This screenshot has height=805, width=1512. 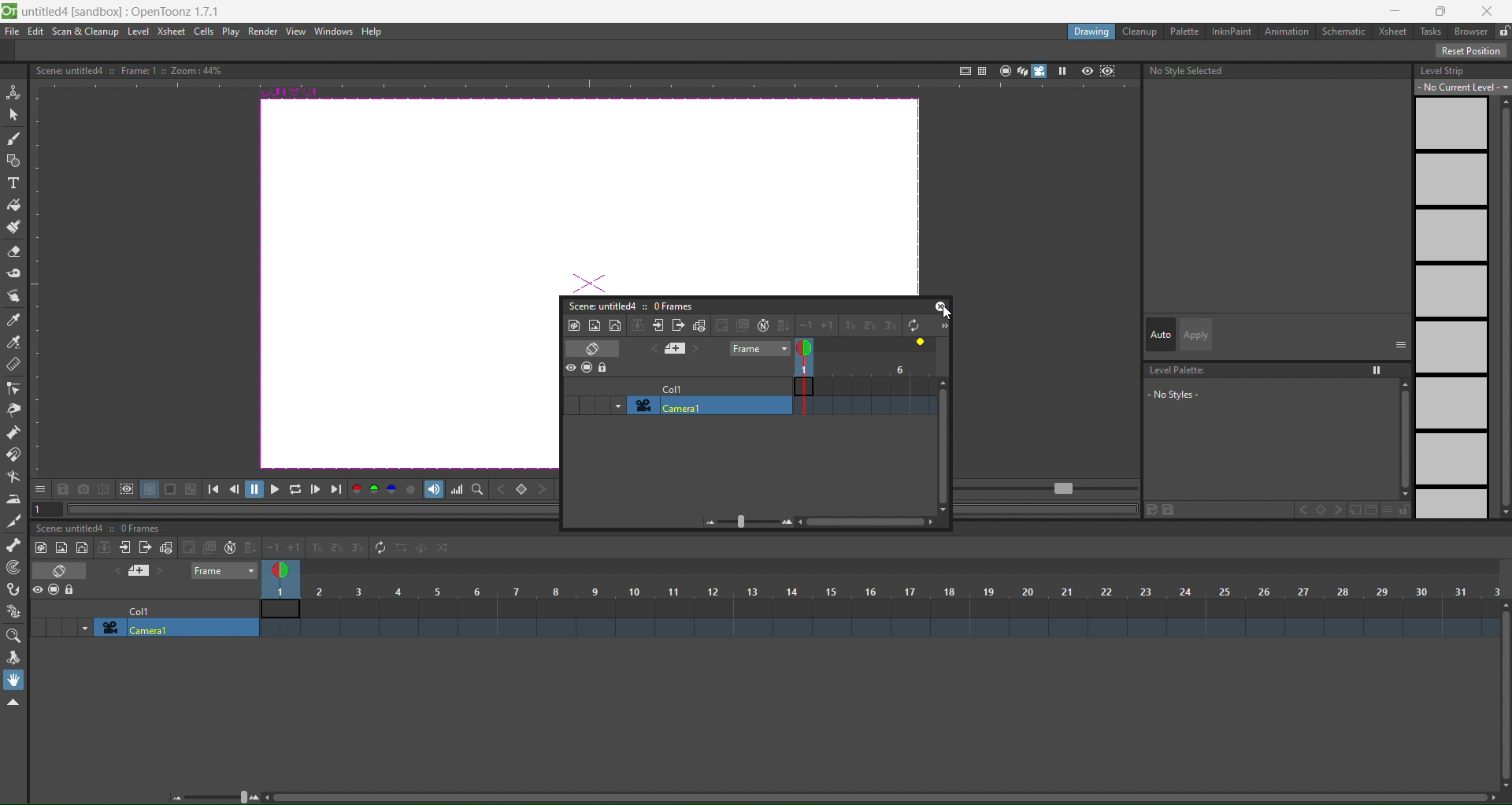 I want to click on cleanup, so click(x=1140, y=32).